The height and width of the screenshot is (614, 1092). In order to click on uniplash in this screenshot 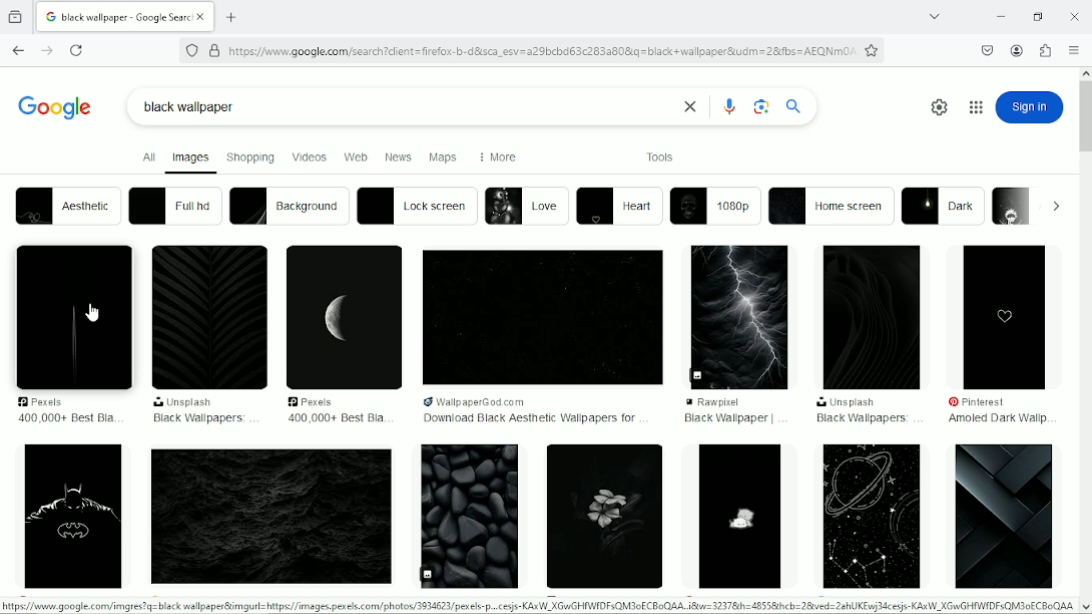, I will do `click(847, 403)`.